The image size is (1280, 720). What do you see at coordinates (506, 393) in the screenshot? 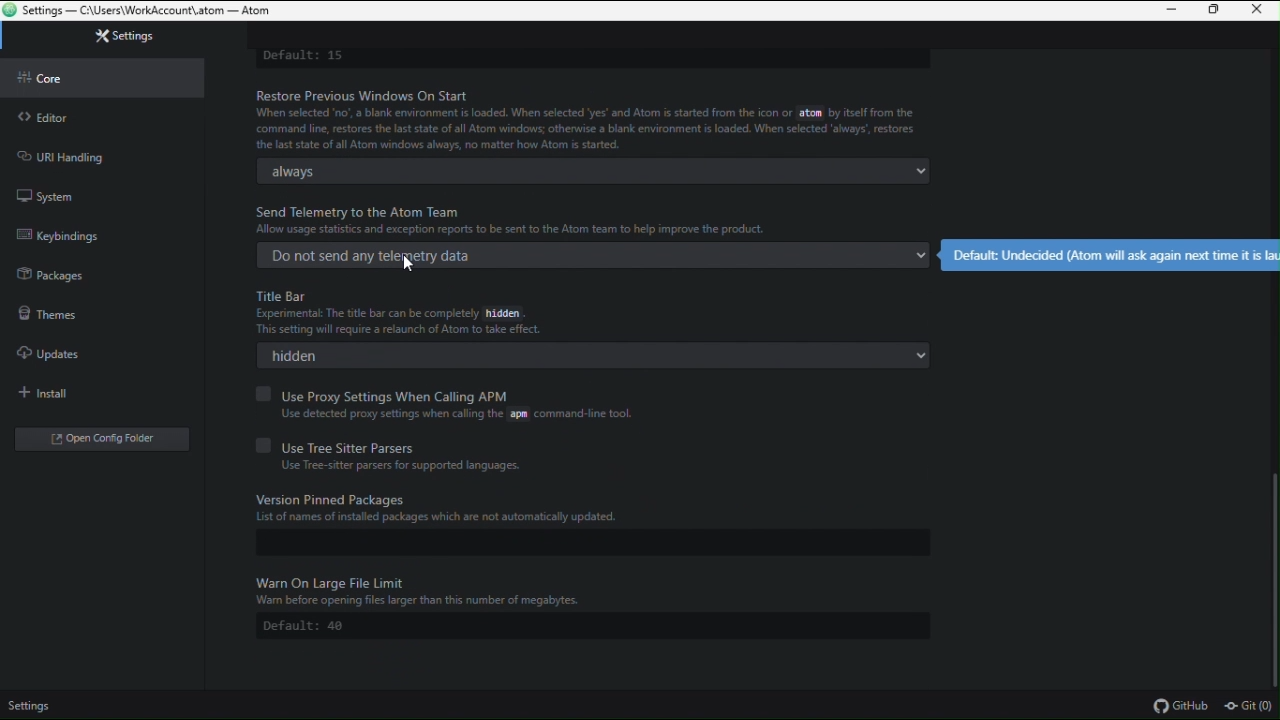
I see `Use Proxy Settings When Calling APM` at bounding box center [506, 393].